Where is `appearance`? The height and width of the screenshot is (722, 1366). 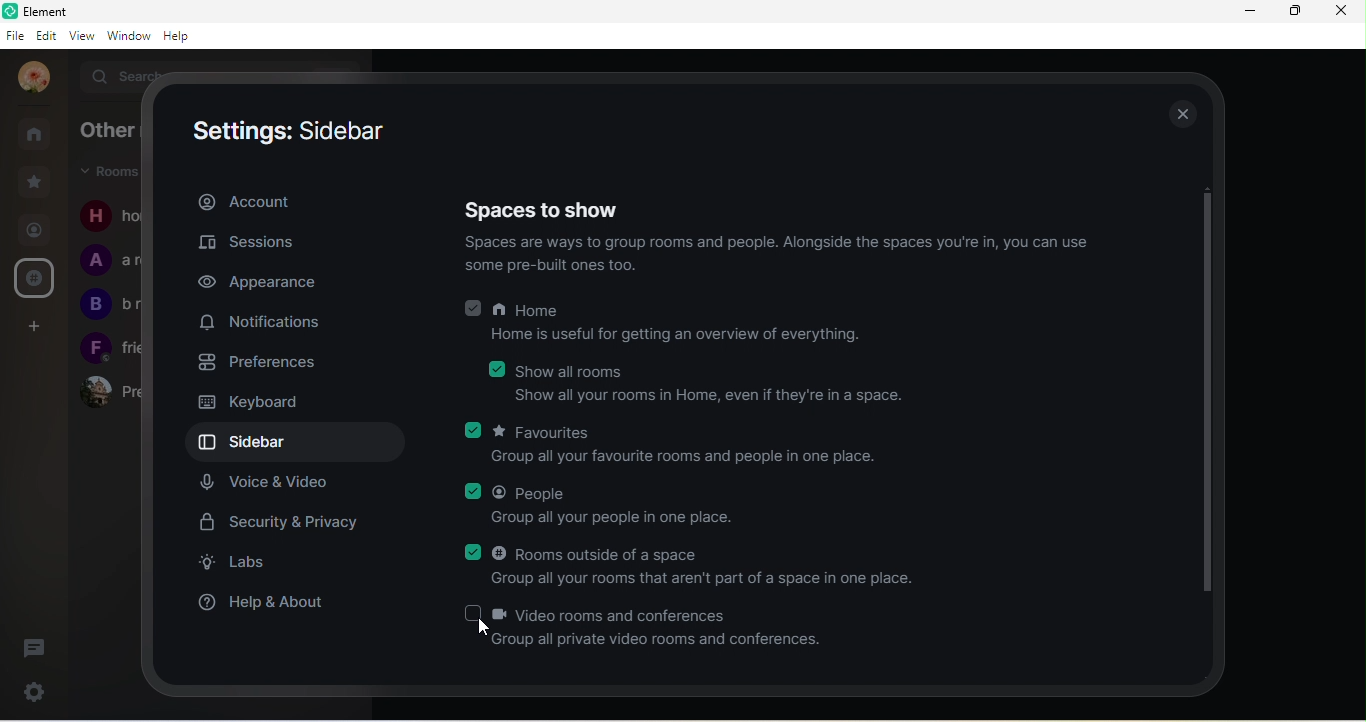 appearance is located at coordinates (267, 281).